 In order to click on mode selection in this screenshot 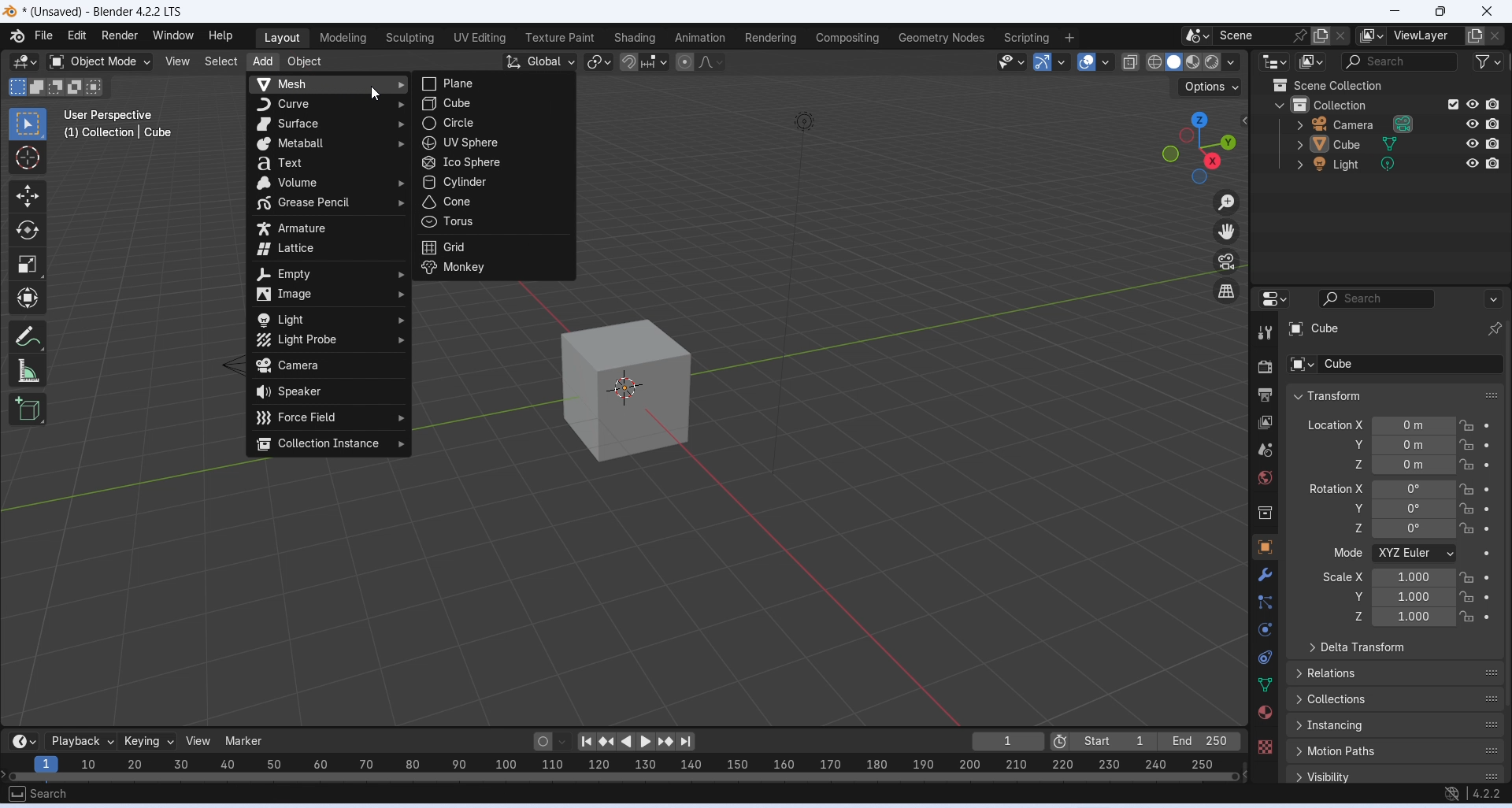, I will do `click(1415, 554)`.